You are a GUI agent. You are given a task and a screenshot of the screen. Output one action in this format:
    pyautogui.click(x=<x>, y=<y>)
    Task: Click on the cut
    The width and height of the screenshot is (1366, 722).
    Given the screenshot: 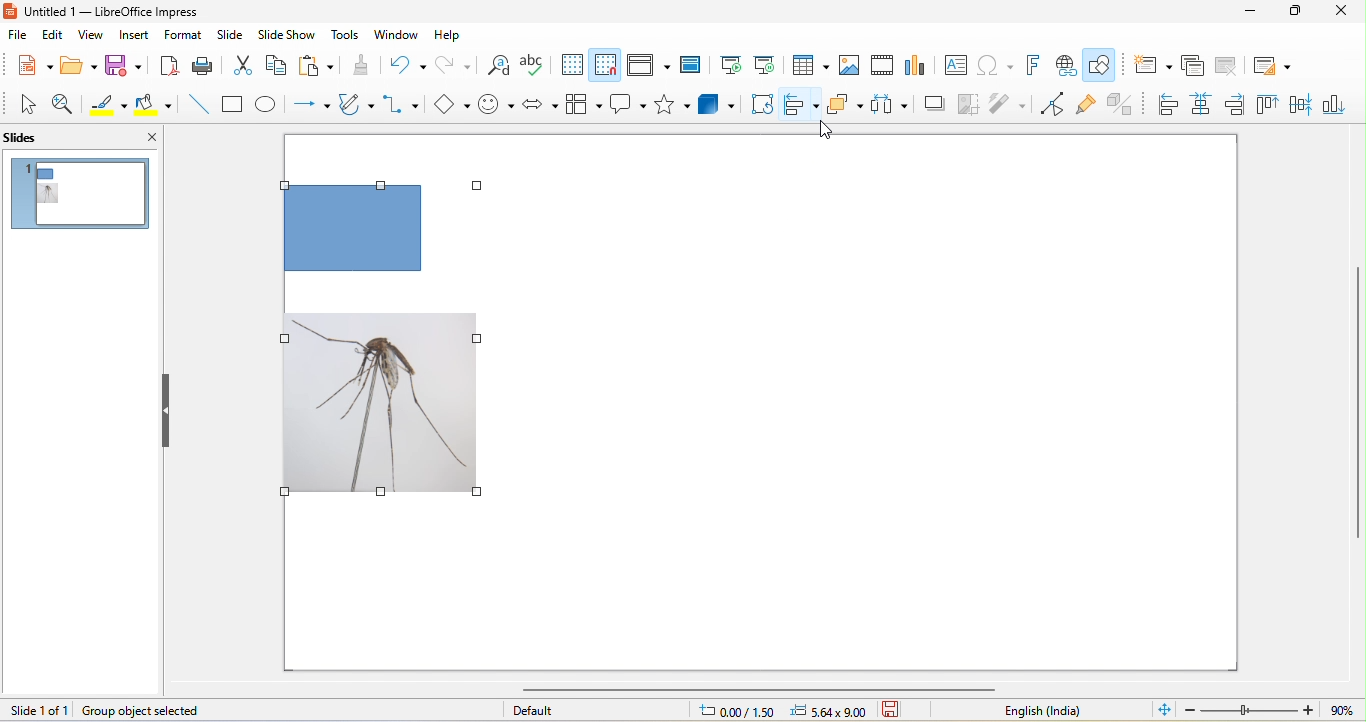 What is the action you would take?
    pyautogui.click(x=240, y=64)
    